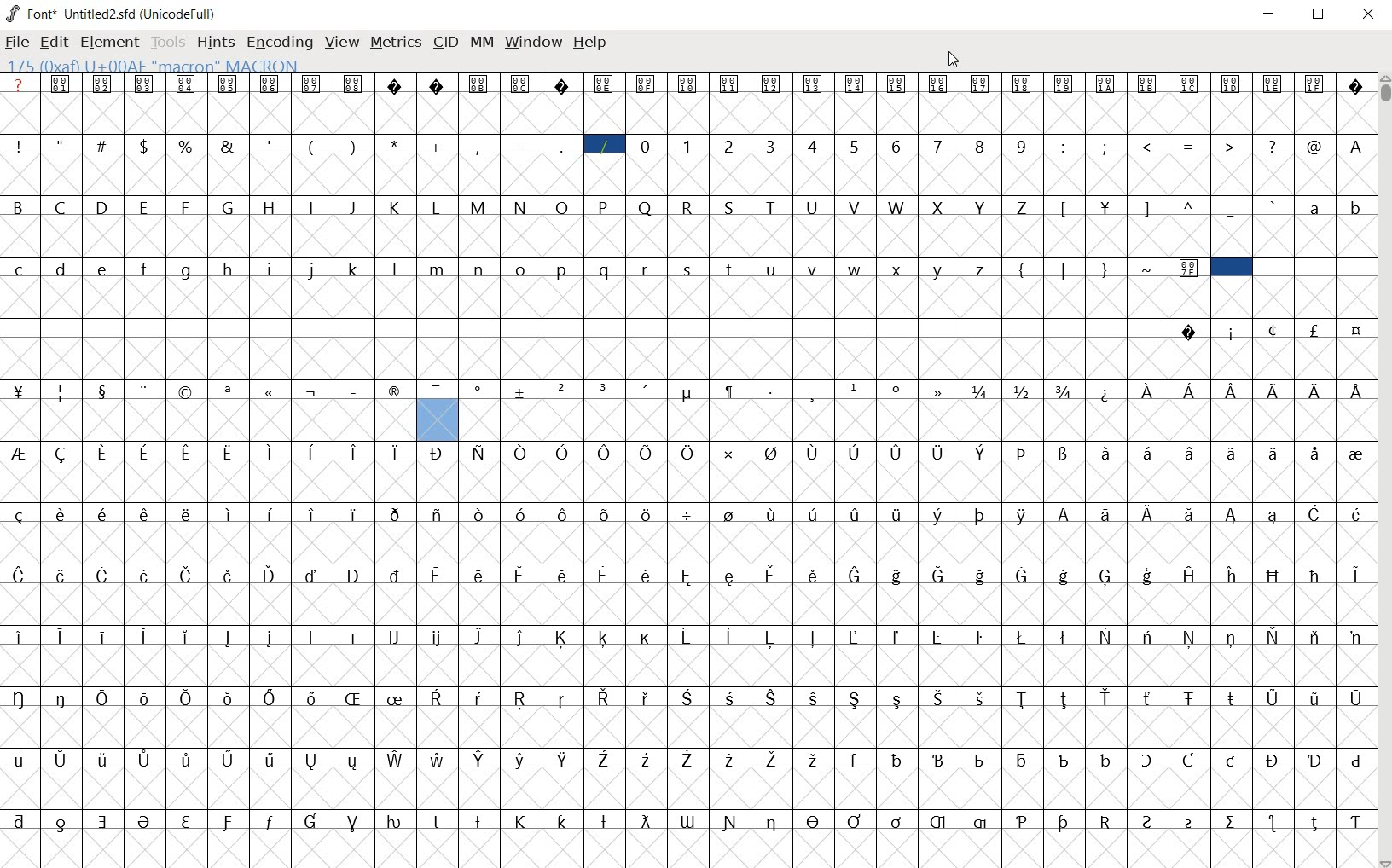  Describe the element at coordinates (353, 391) in the screenshot. I see `Symbol` at that location.